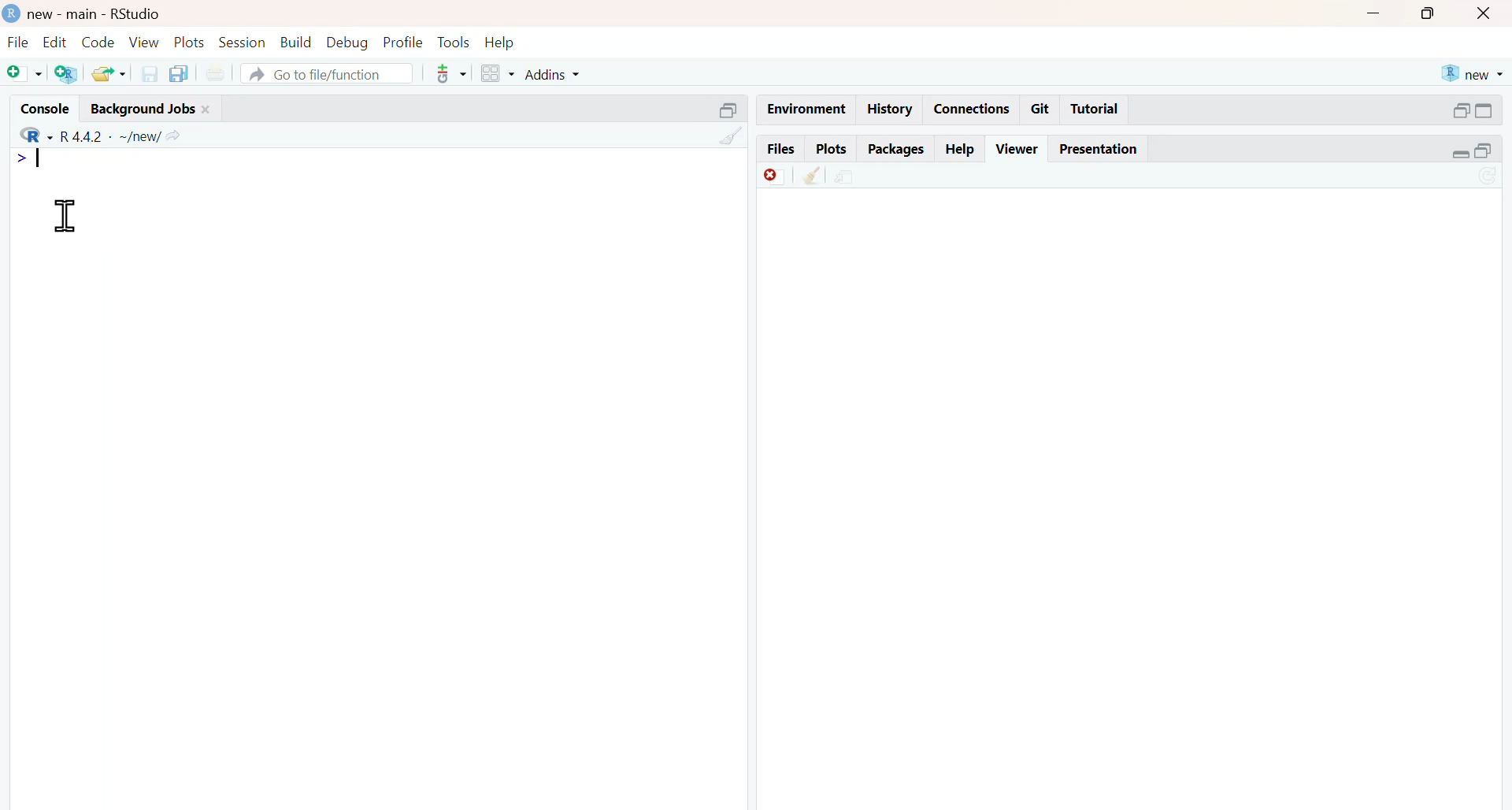 Image resolution: width=1512 pixels, height=810 pixels. What do you see at coordinates (69, 216) in the screenshot?
I see `cursor` at bounding box center [69, 216].